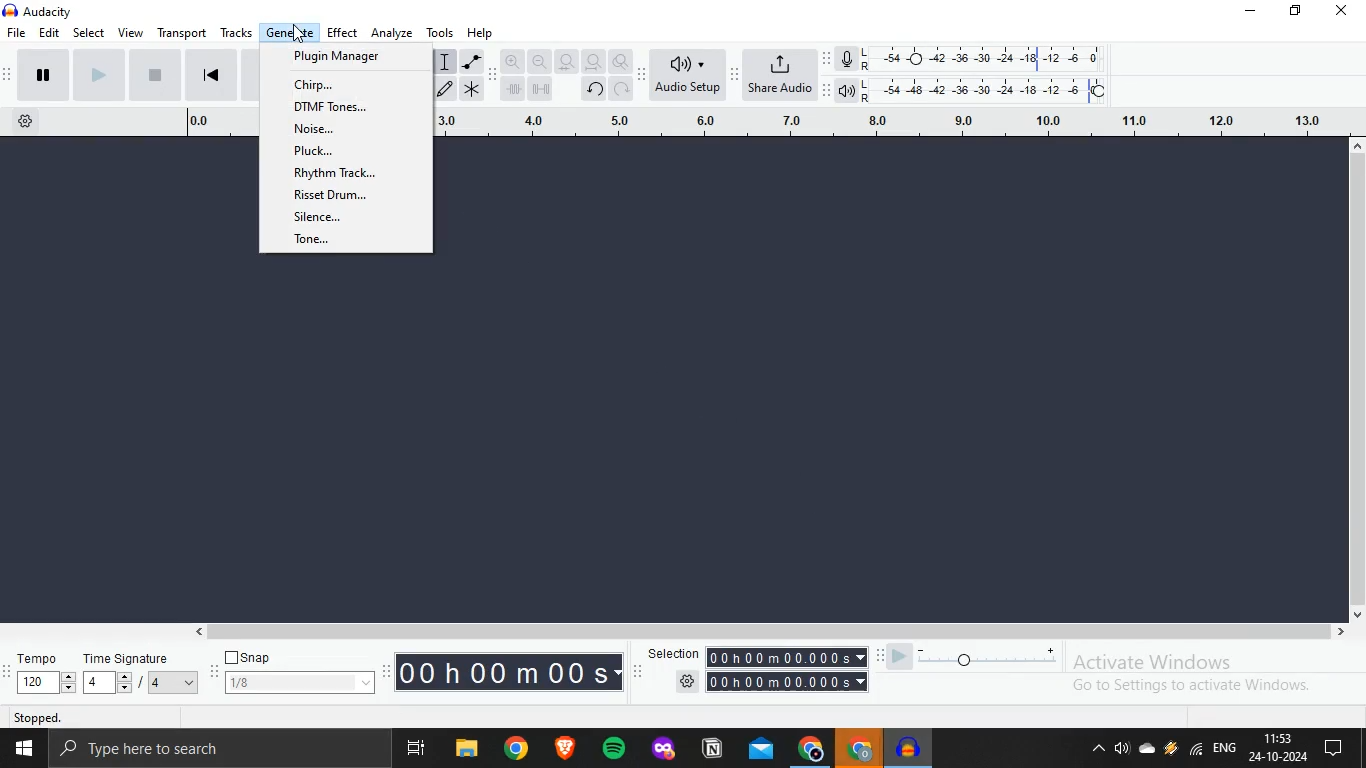 The height and width of the screenshot is (768, 1366). Describe the element at coordinates (236, 33) in the screenshot. I see `Tracks` at that location.